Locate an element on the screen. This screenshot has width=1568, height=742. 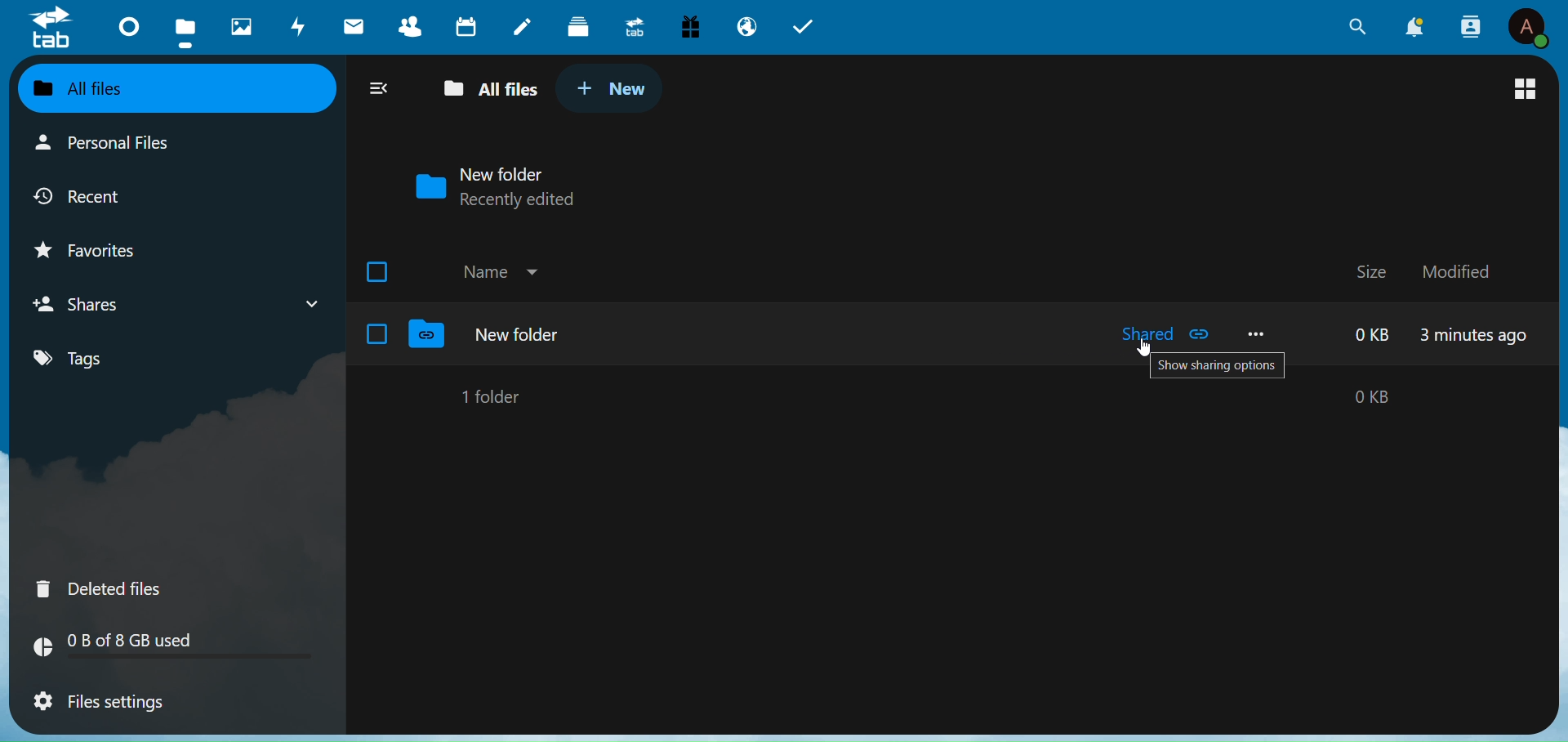
All Files is located at coordinates (485, 90).